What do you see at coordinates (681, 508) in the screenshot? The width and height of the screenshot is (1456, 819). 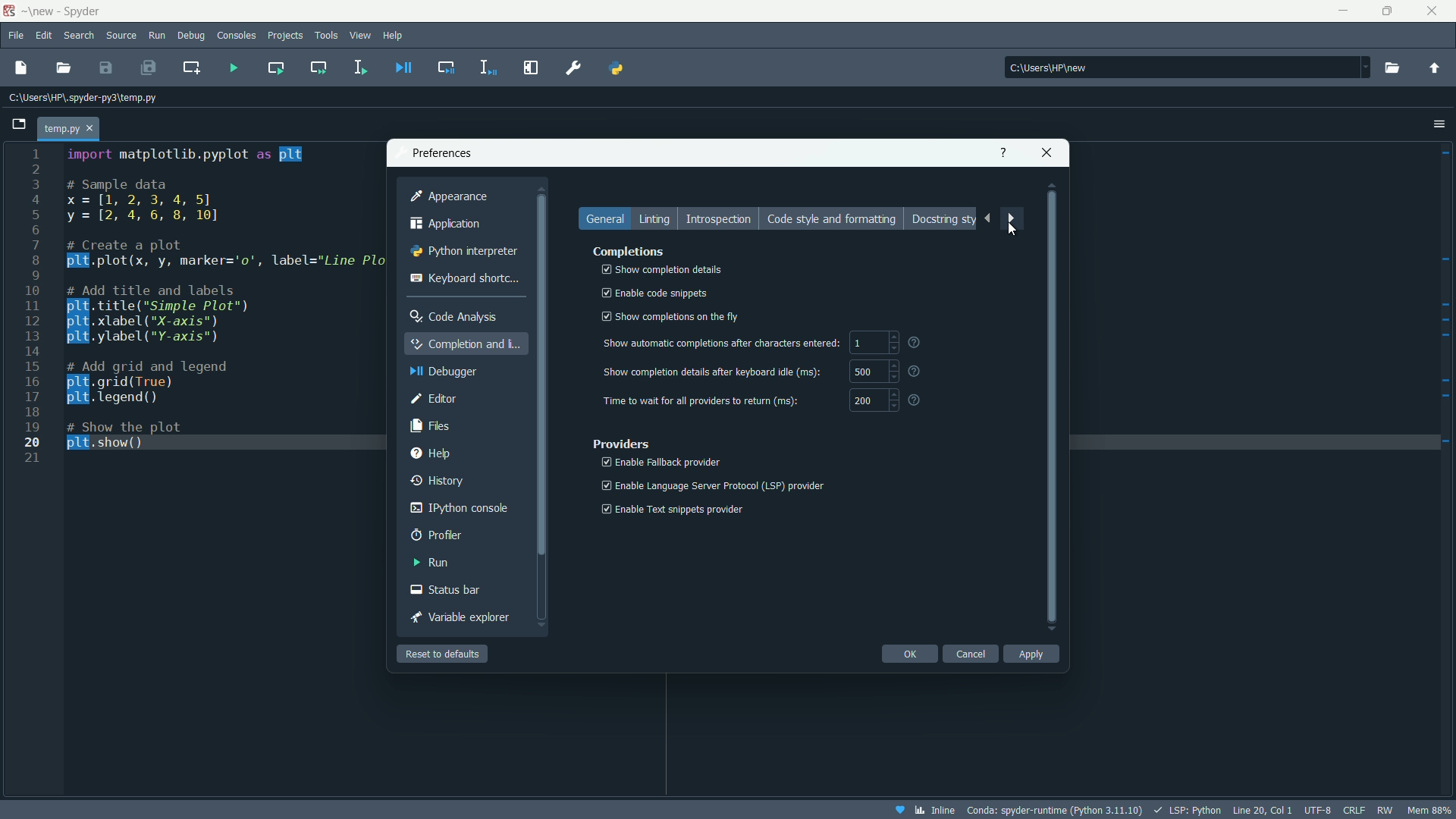 I see `enable text snippets provider` at bounding box center [681, 508].